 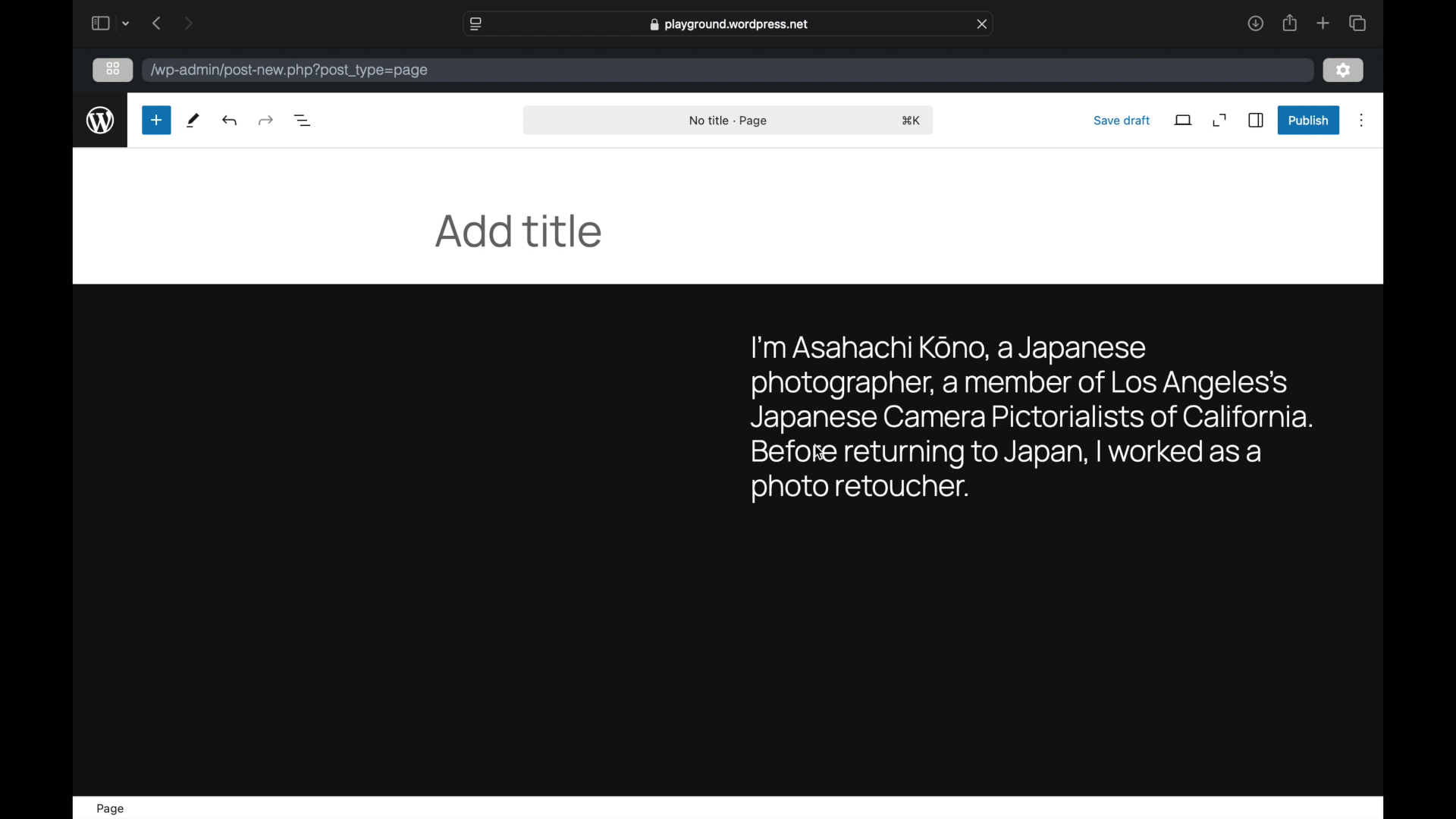 What do you see at coordinates (100, 120) in the screenshot?
I see `wordpress` at bounding box center [100, 120].